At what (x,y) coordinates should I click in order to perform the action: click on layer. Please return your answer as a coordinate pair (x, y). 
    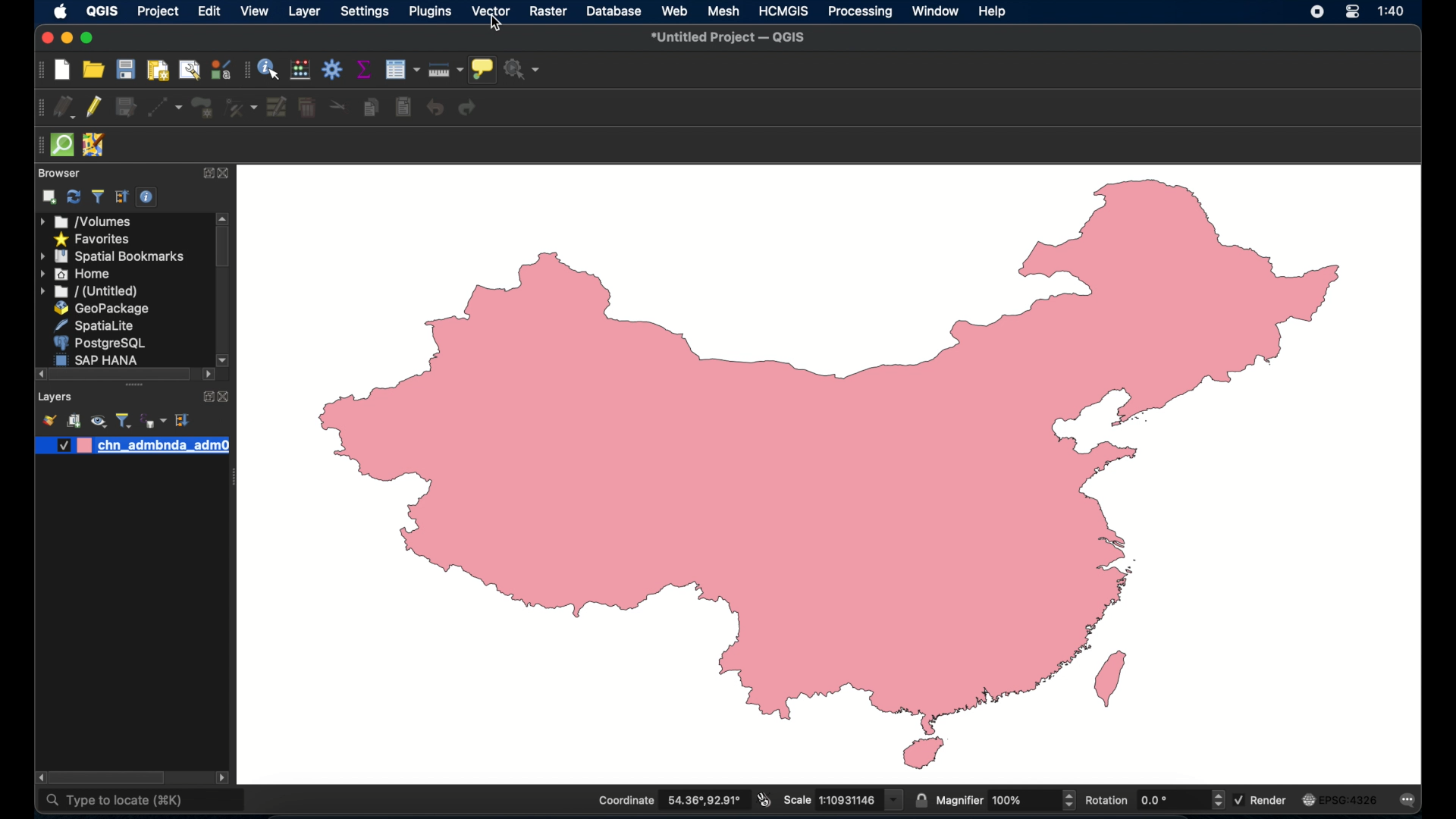
    Looking at the image, I should click on (303, 12).